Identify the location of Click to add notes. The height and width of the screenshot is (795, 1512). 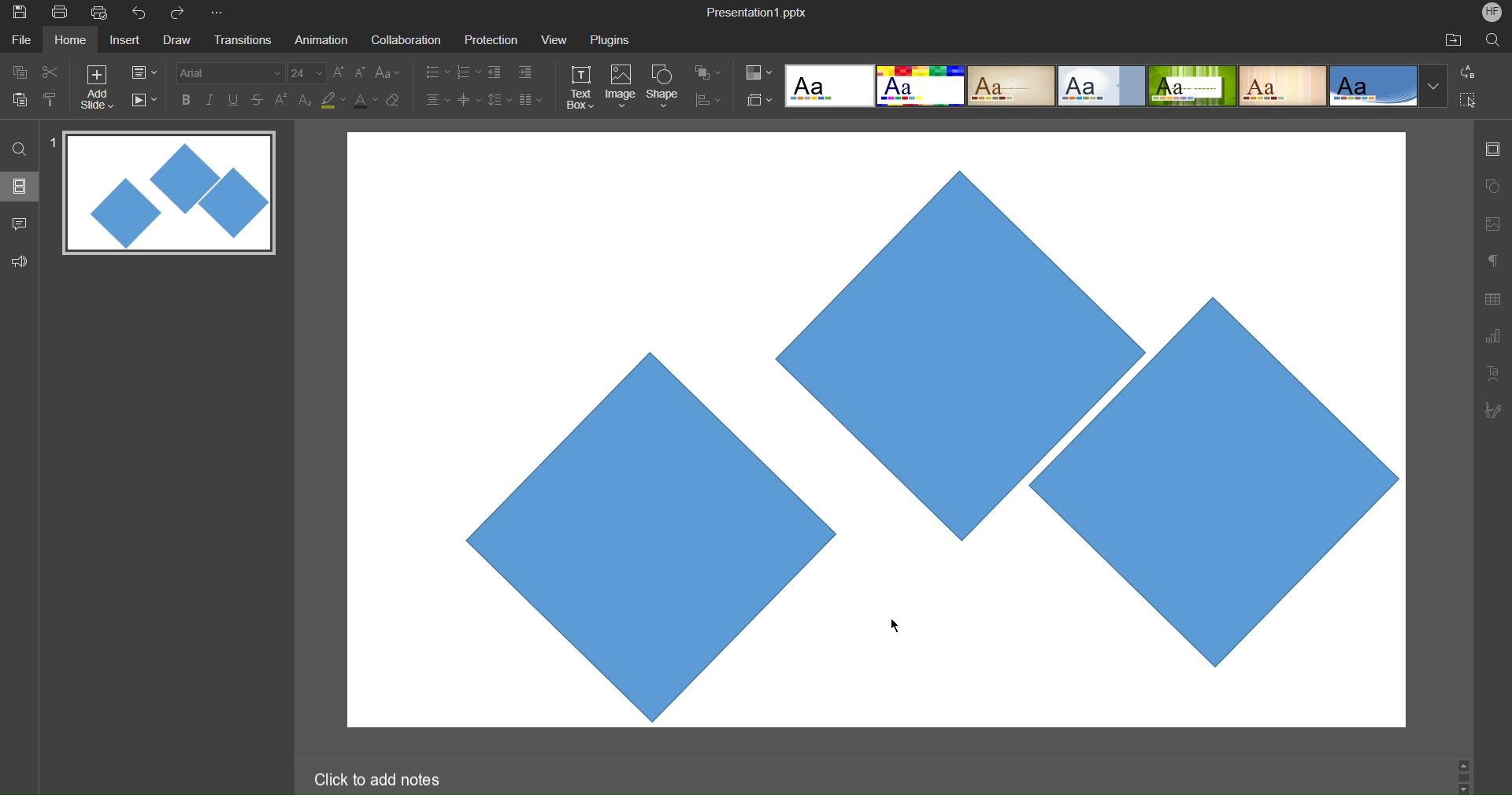
(376, 778).